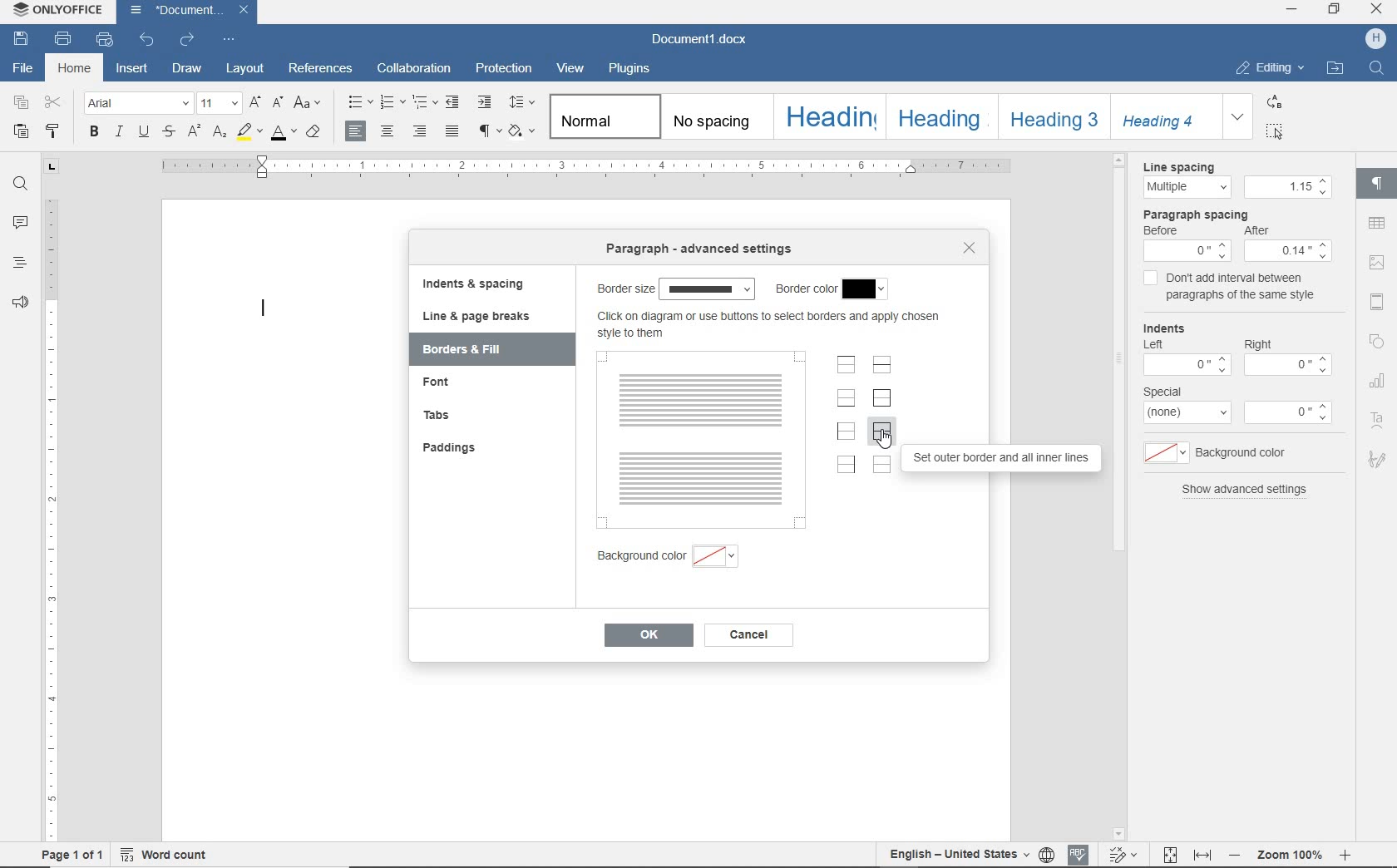  What do you see at coordinates (1124, 856) in the screenshot?
I see `Track changes` at bounding box center [1124, 856].